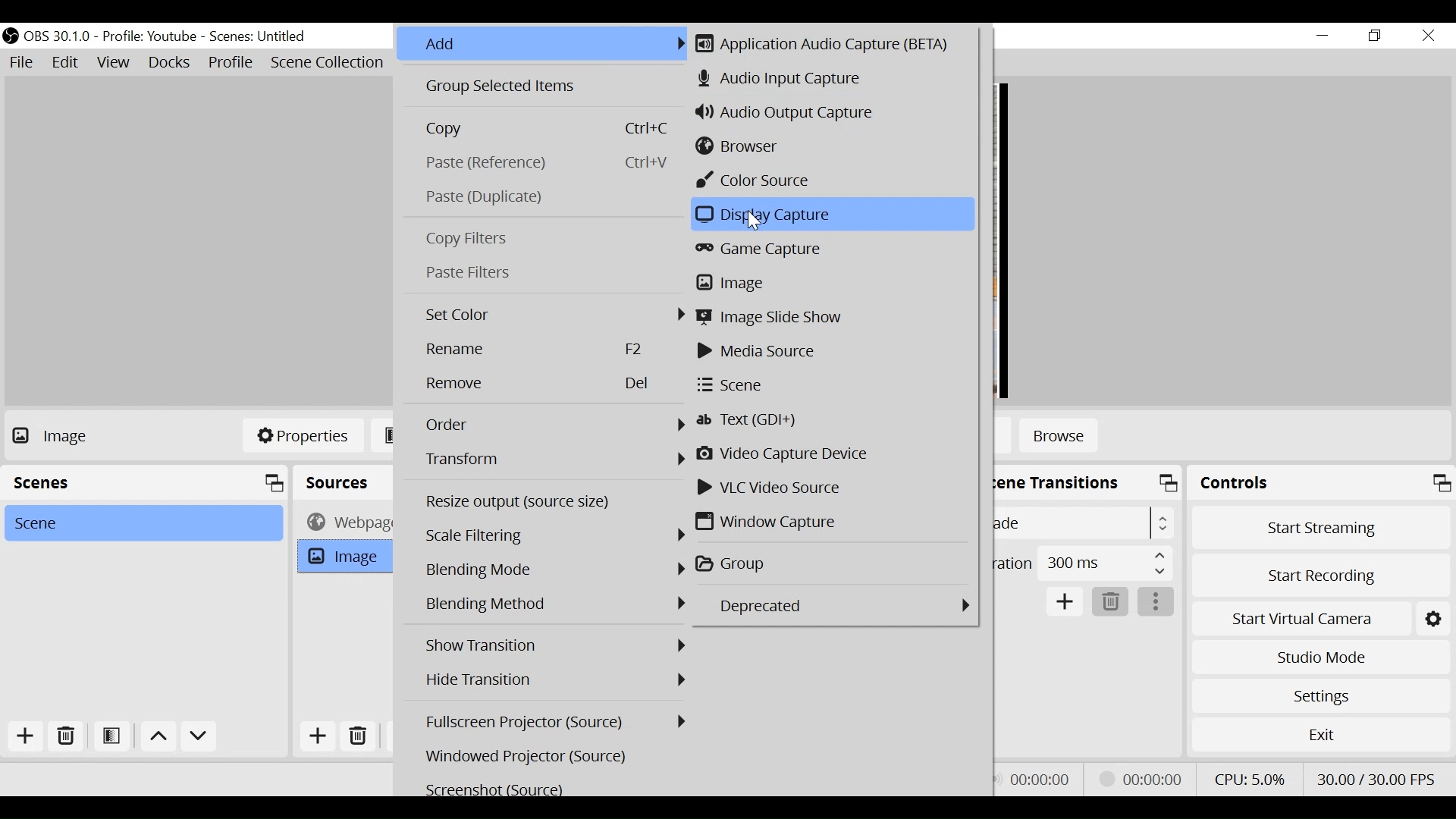  What do you see at coordinates (832, 521) in the screenshot?
I see `Window Capture` at bounding box center [832, 521].